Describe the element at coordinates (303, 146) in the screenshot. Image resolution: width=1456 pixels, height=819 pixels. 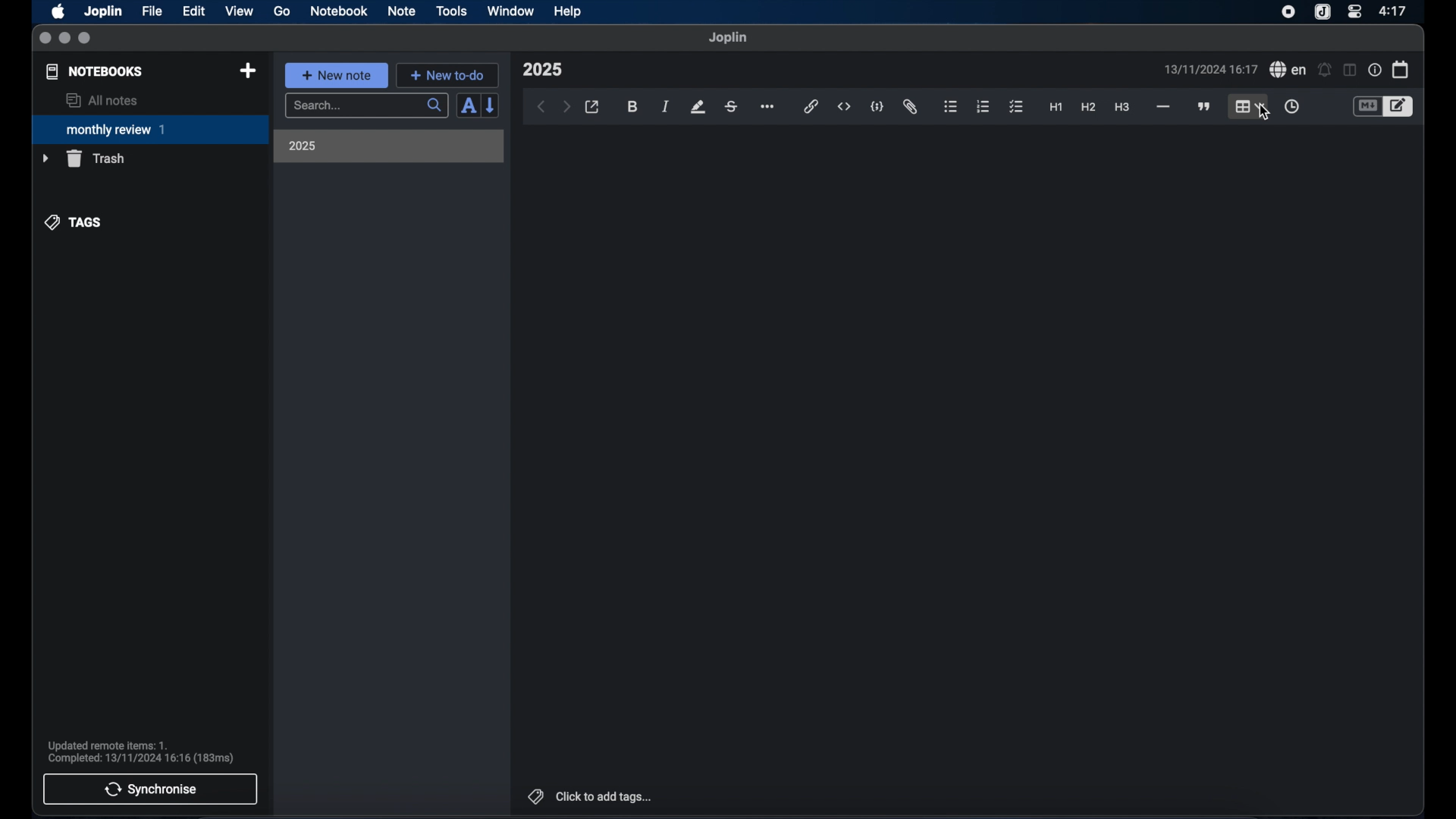
I see `2025` at that location.